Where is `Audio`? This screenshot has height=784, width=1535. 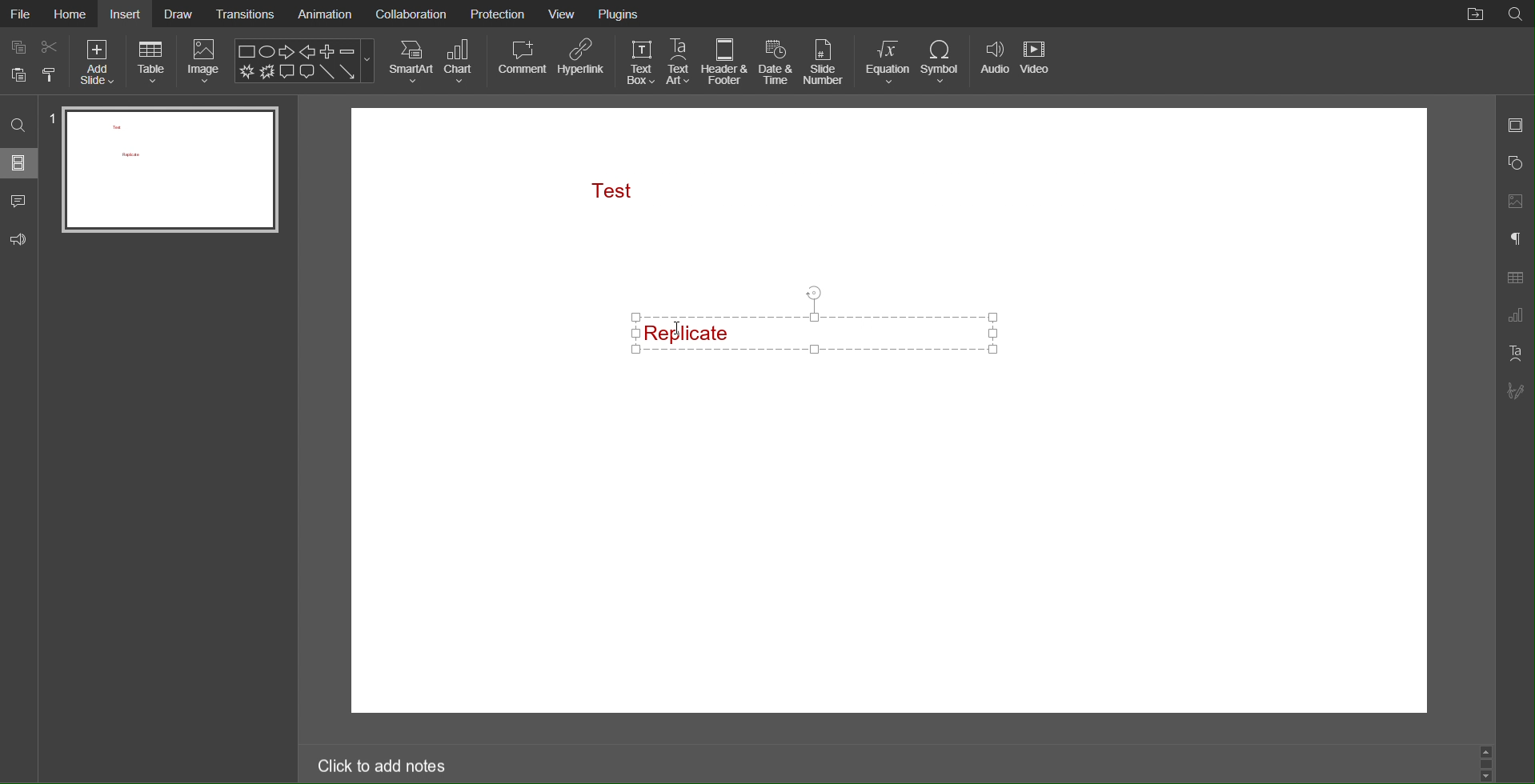 Audio is located at coordinates (994, 62).